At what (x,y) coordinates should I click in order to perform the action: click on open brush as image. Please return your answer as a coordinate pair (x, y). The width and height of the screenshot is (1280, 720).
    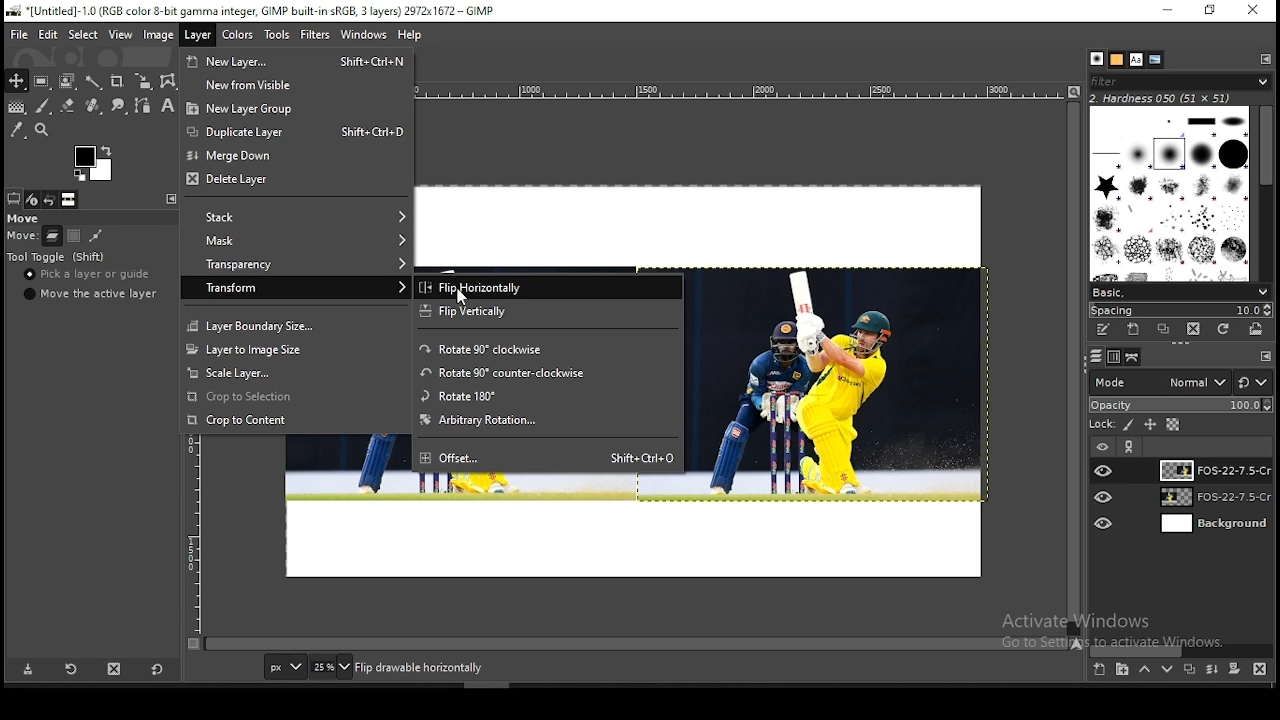
    Looking at the image, I should click on (1258, 329).